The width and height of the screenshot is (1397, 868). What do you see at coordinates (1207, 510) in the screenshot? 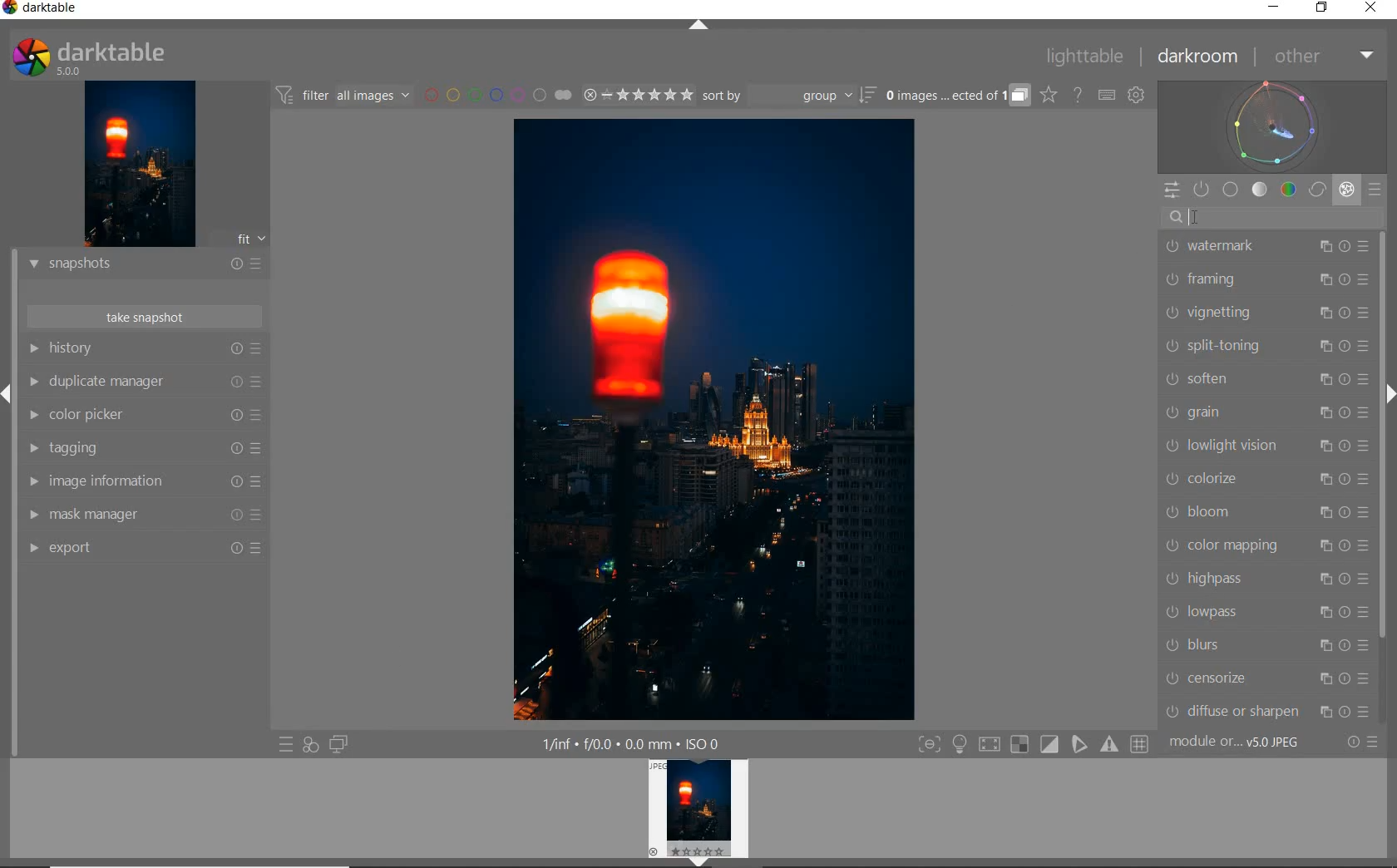
I see `BLOOM` at bounding box center [1207, 510].